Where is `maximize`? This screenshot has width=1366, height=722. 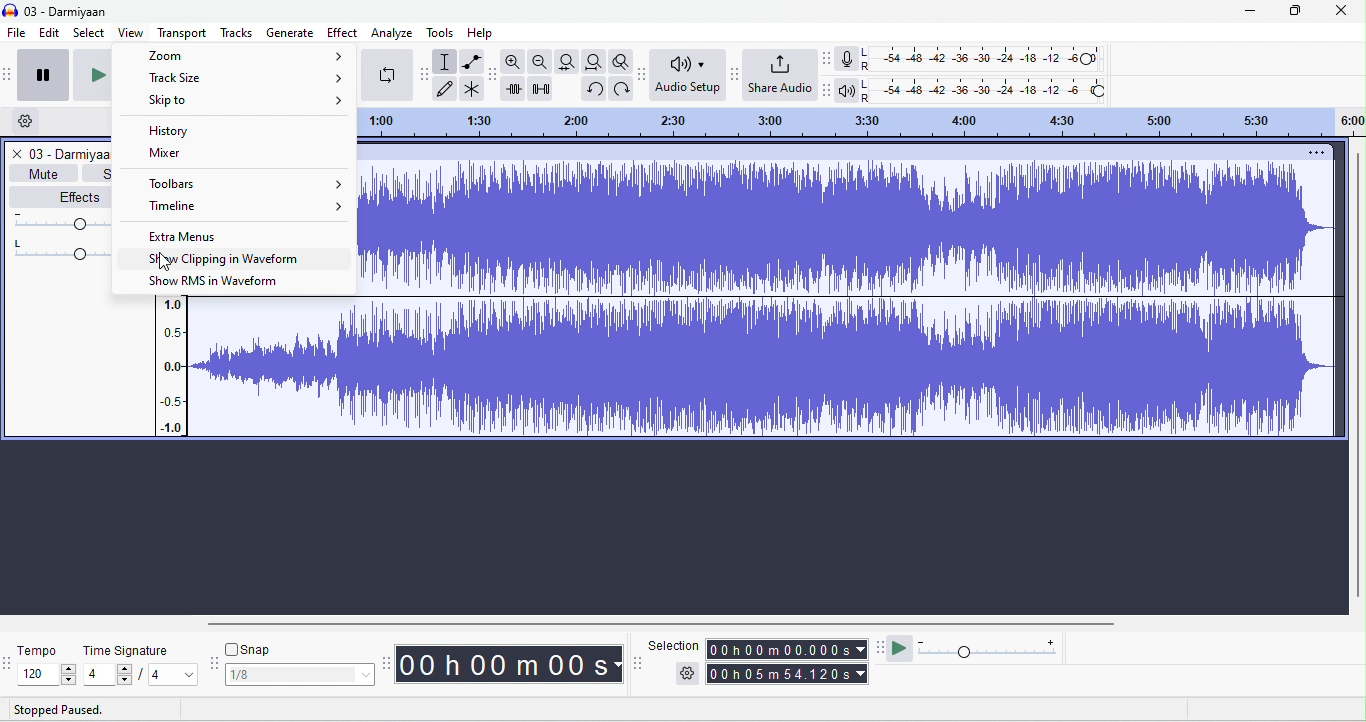
maximize is located at coordinates (1292, 11).